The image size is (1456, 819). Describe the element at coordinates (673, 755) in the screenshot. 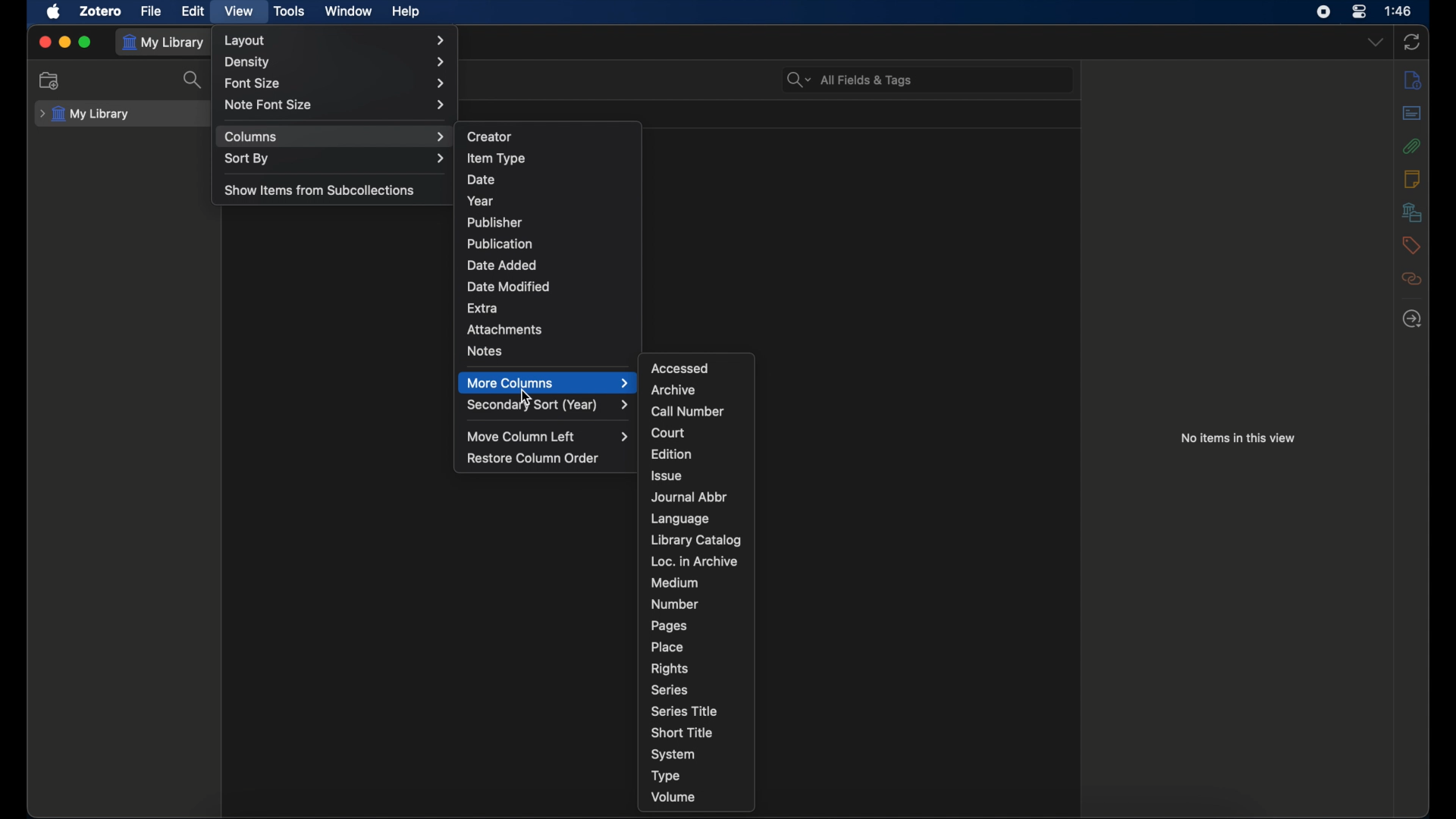

I see `system` at that location.